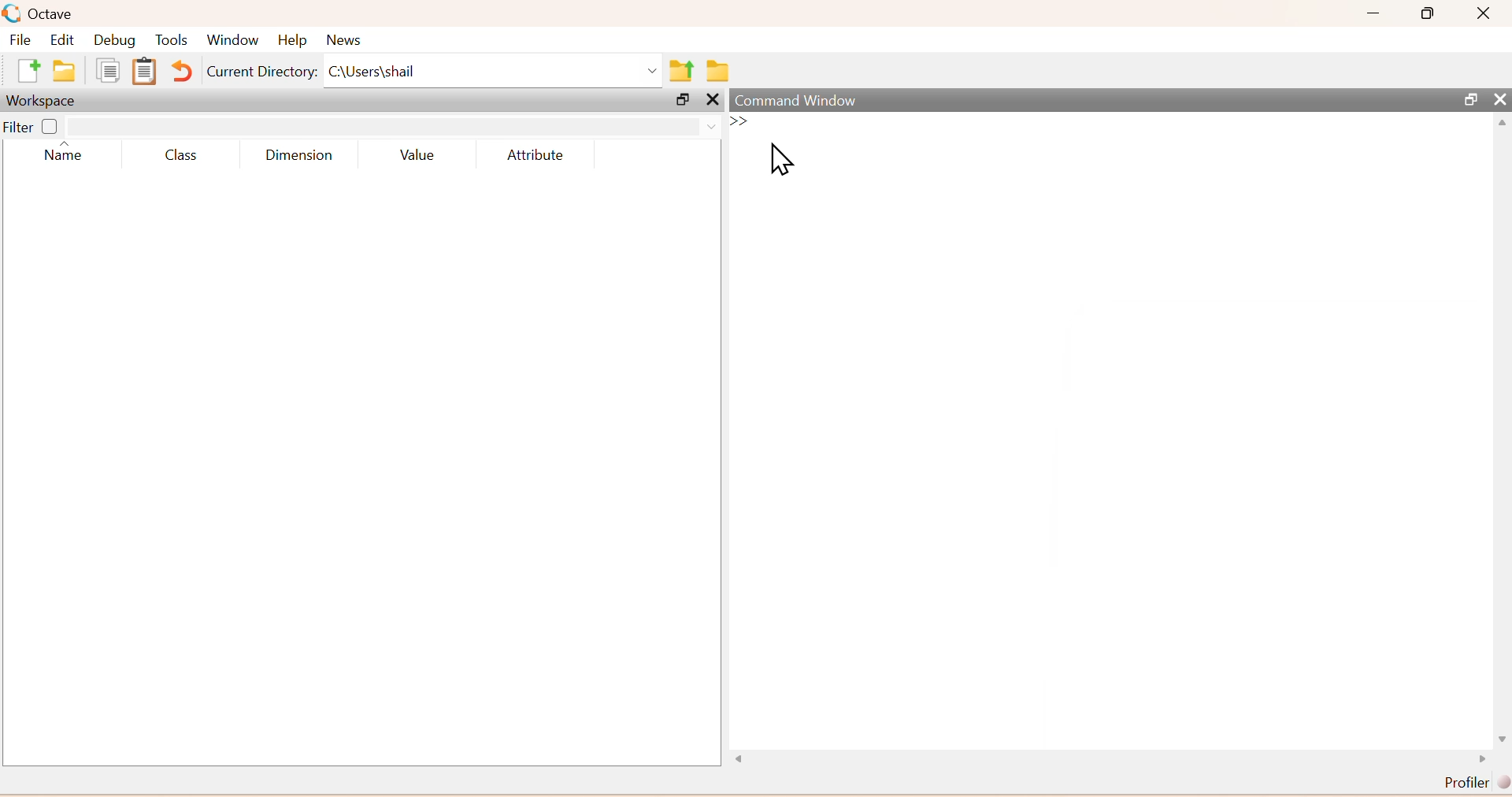  Describe the element at coordinates (717, 72) in the screenshot. I see `Browse directories` at that location.